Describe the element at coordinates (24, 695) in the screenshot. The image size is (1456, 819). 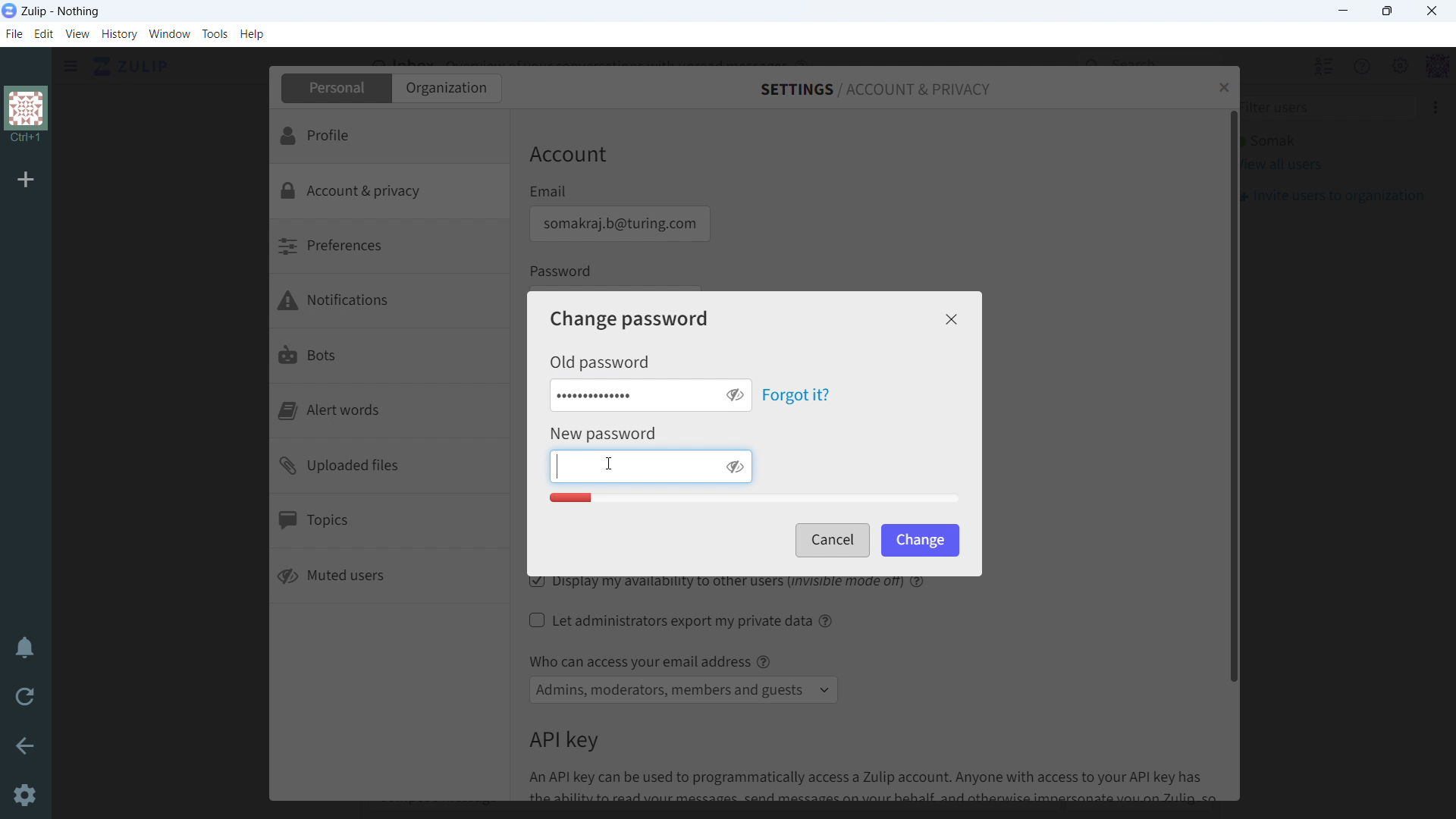
I see `reload` at that location.